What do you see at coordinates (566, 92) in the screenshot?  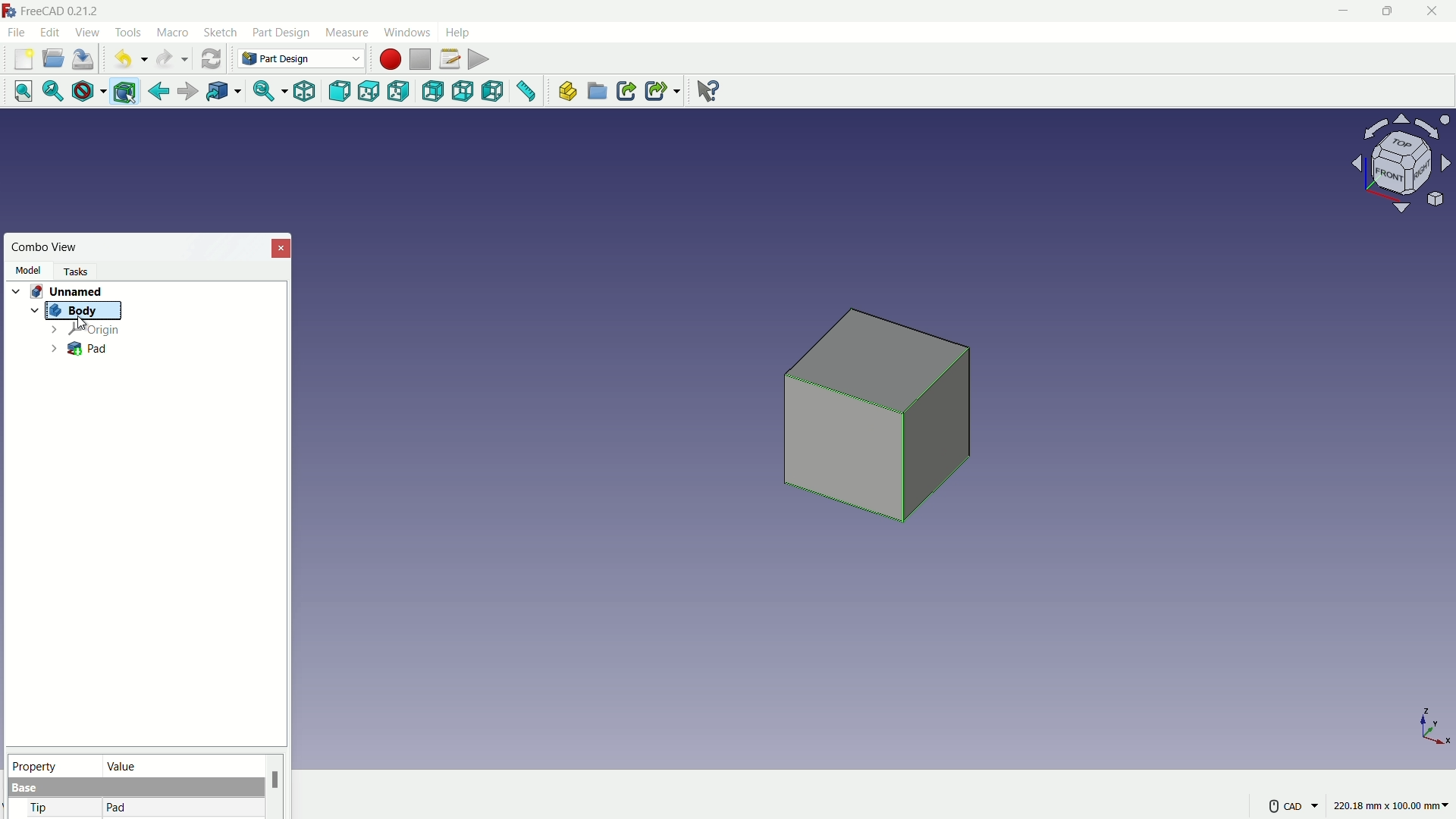 I see `create part` at bounding box center [566, 92].